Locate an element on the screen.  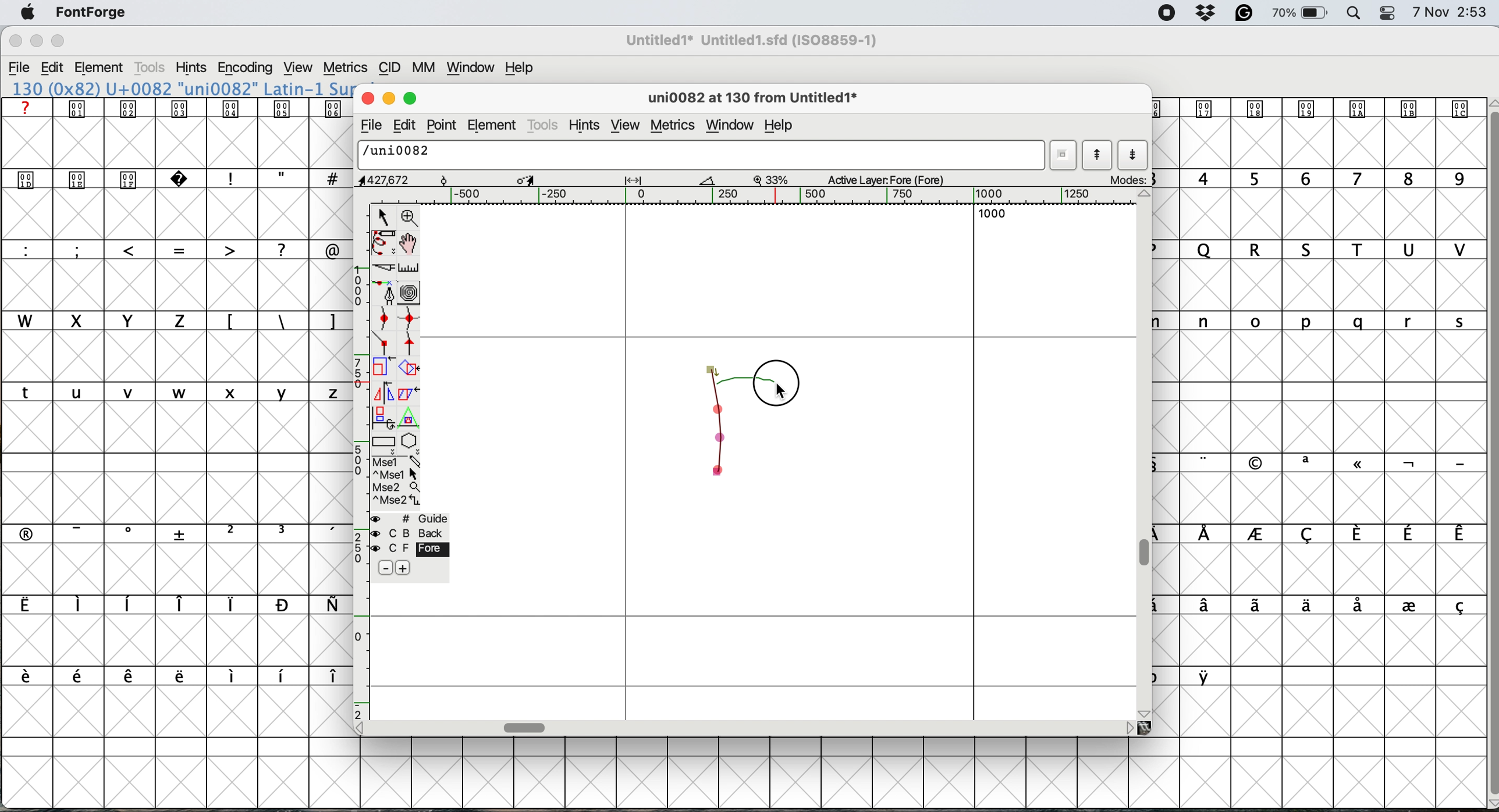
special characters is located at coordinates (278, 320).